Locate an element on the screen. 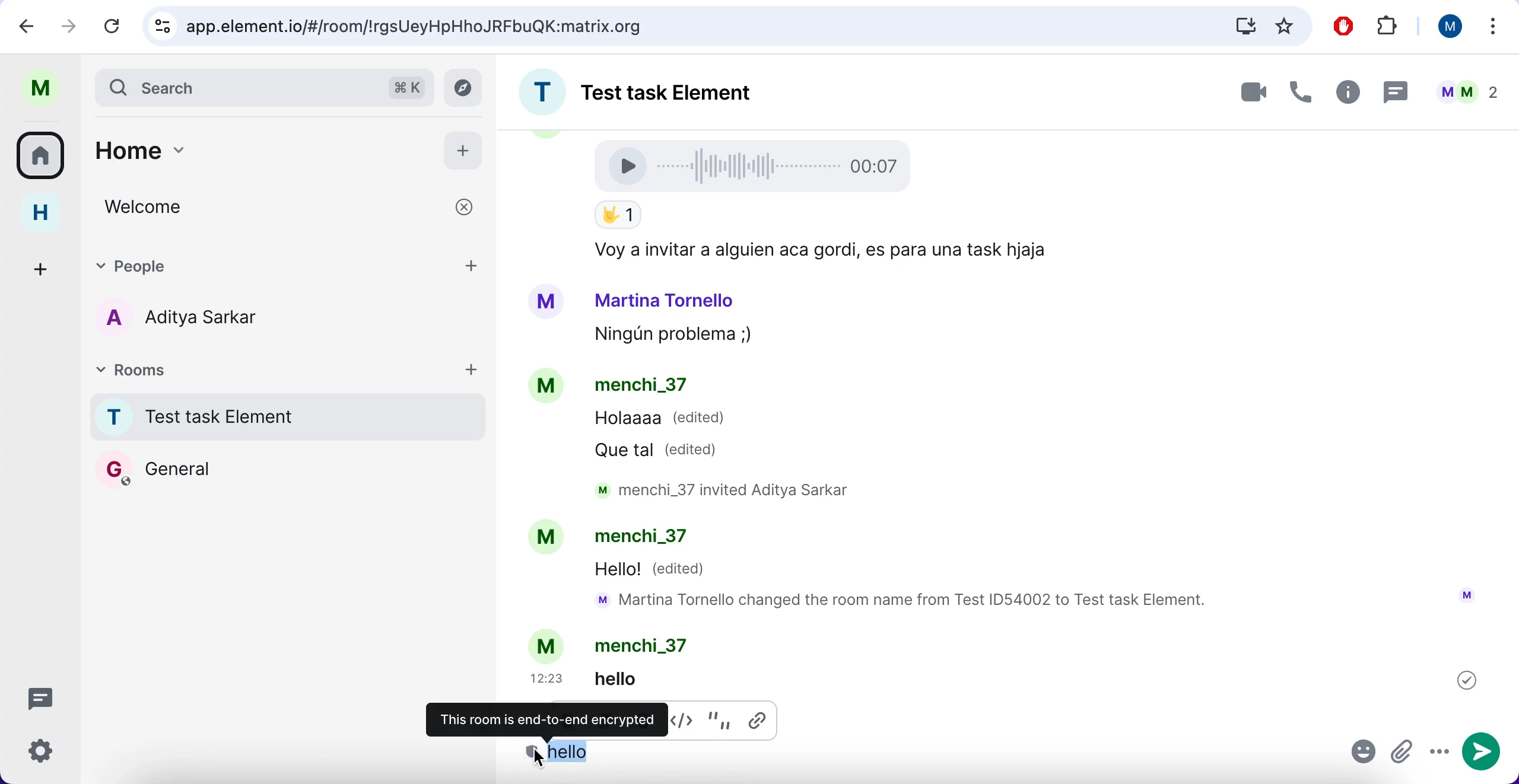 The height and width of the screenshot is (784, 1519). go one page forward is located at coordinates (72, 25).